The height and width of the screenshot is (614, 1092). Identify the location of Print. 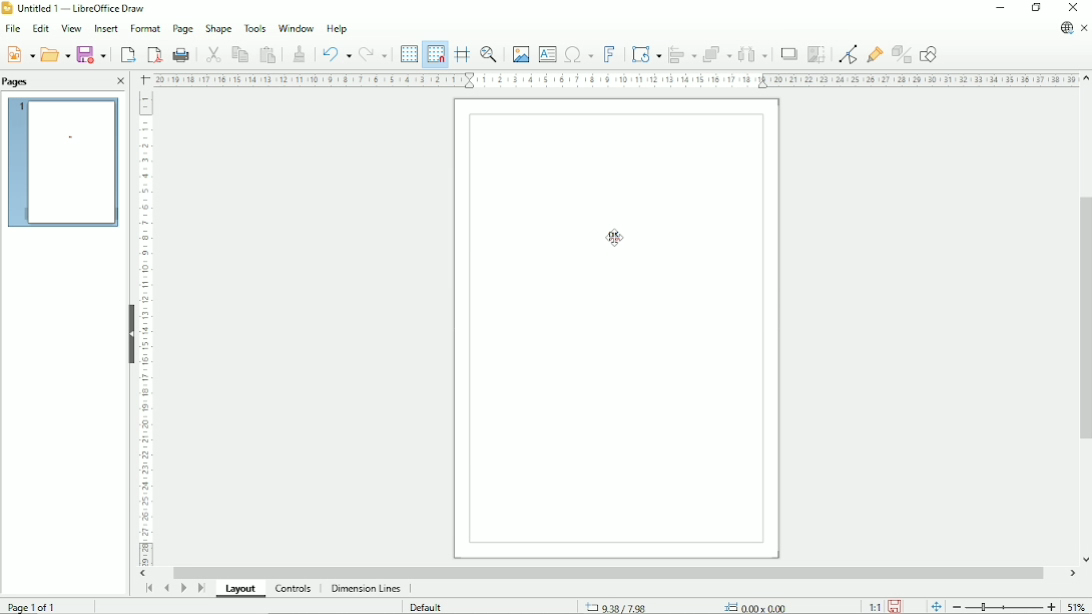
(182, 55).